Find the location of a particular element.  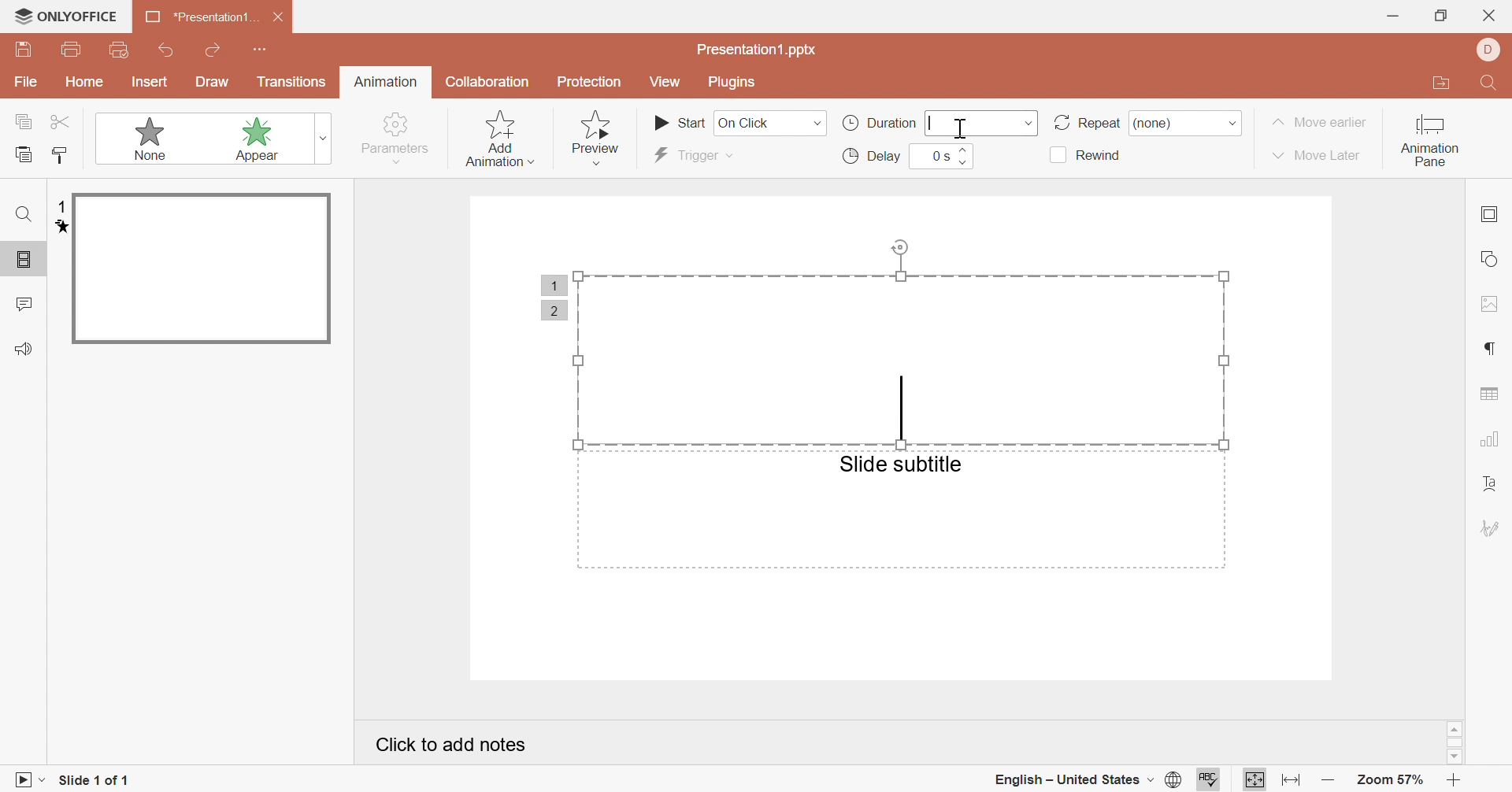

drop down is located at coordinates (1029, 124).